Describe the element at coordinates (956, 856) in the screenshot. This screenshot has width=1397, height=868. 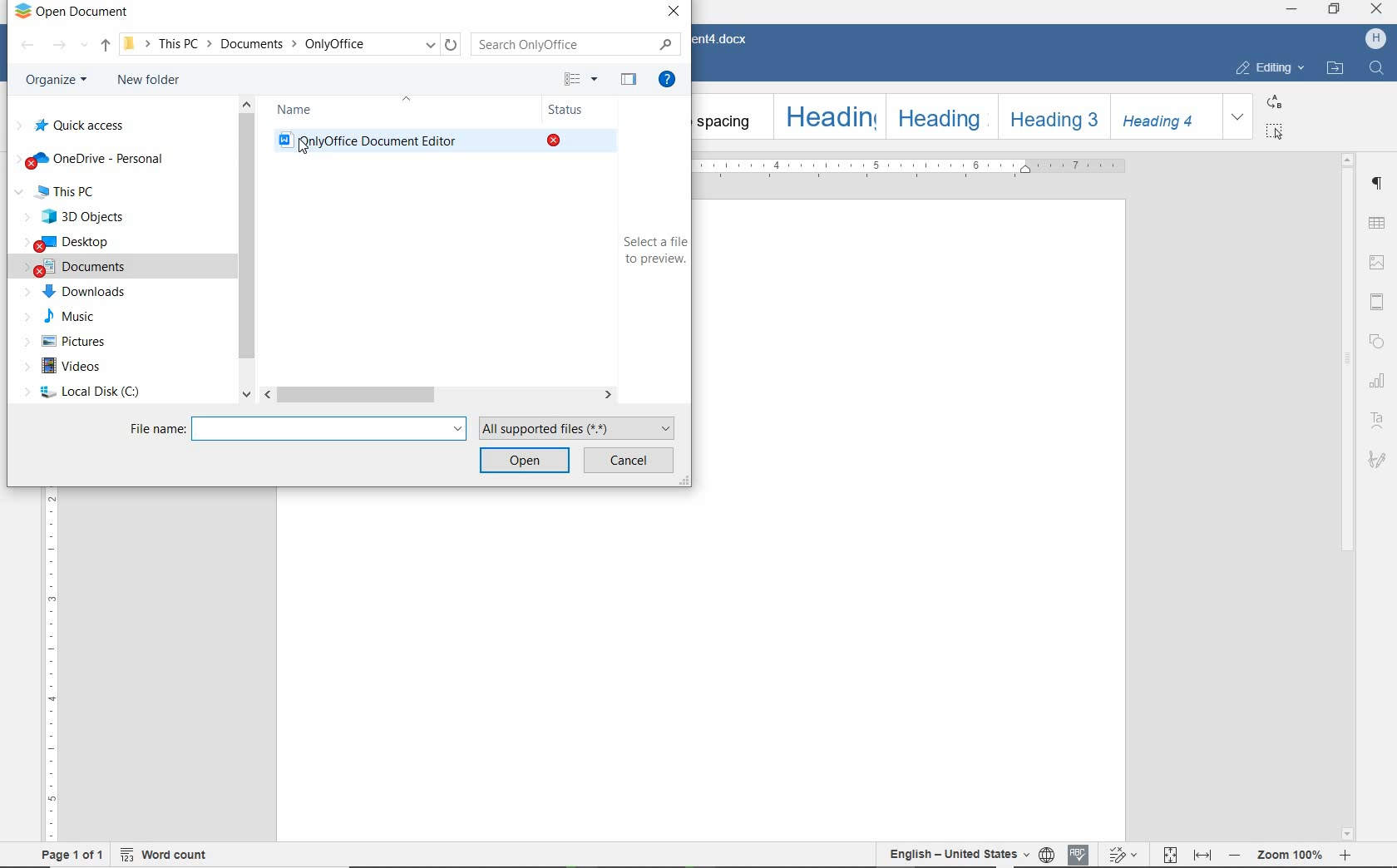
I see `text language` at that location.